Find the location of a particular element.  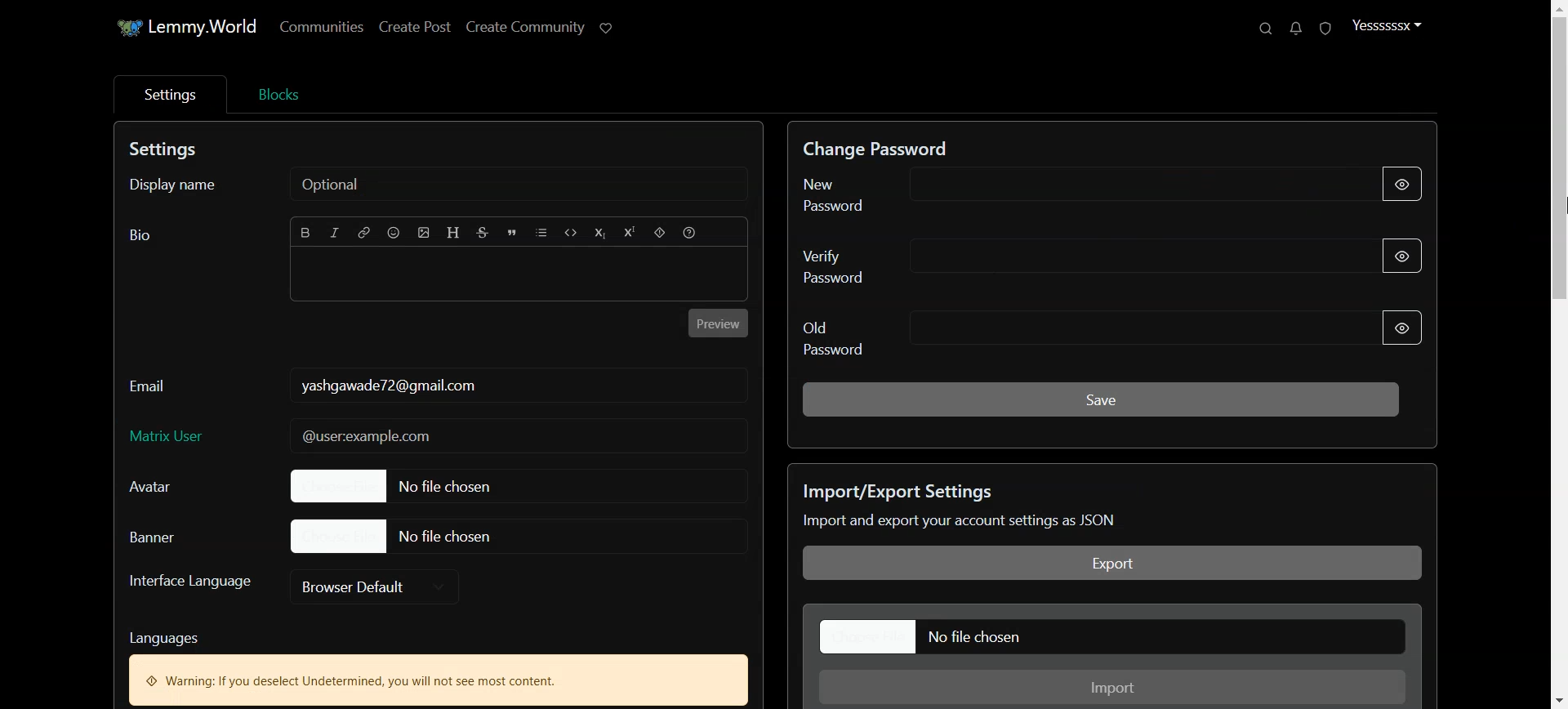

Communities is located at coordinates (320, 27).